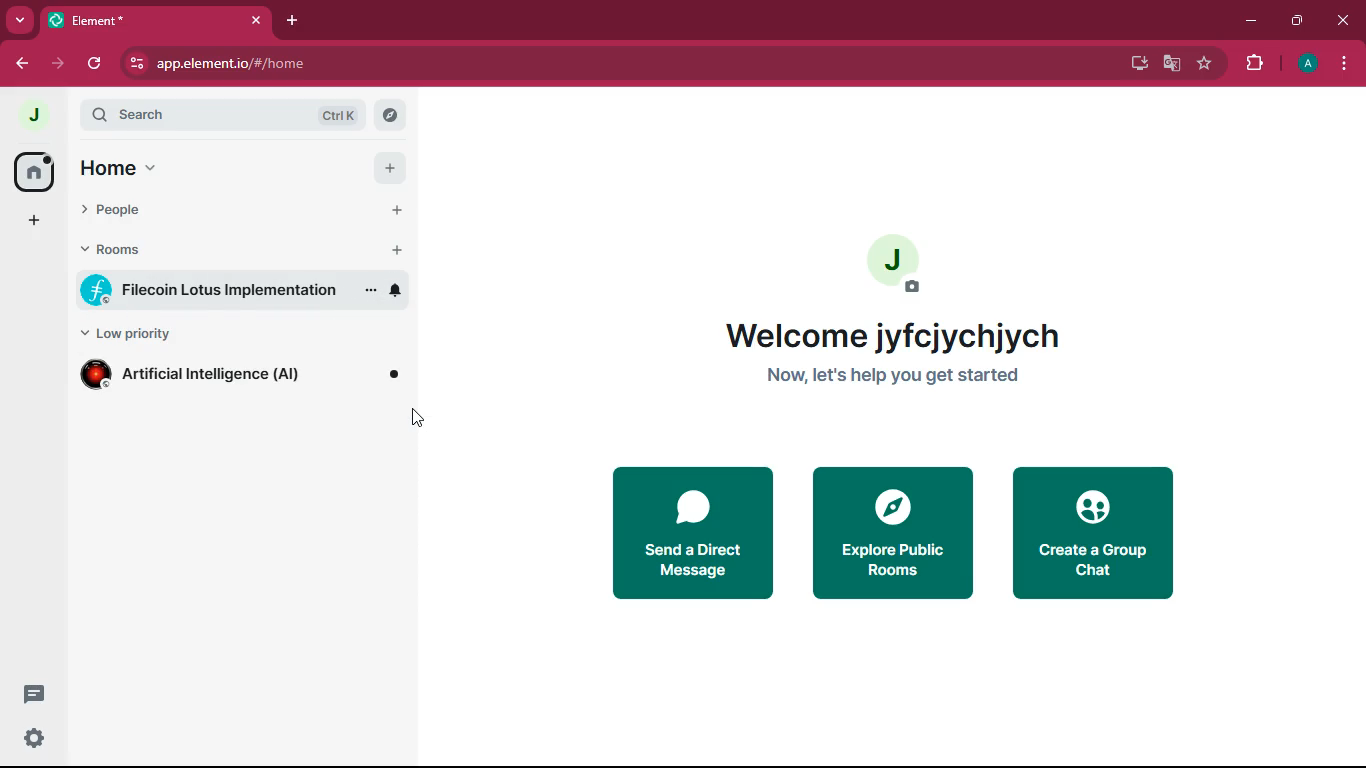 This screenshot has height=768, width=1366. Describe the element at coordinates (1254, 65) in the screenshot. I see `extensions` at that location.